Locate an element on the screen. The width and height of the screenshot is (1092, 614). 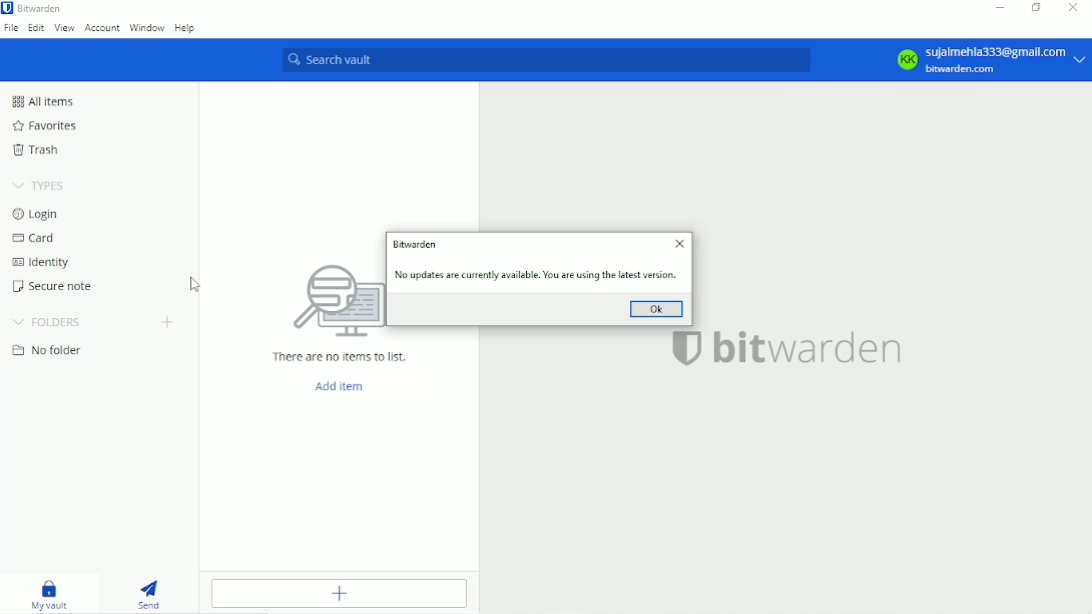
Identity is located at coordinates (43, 261).